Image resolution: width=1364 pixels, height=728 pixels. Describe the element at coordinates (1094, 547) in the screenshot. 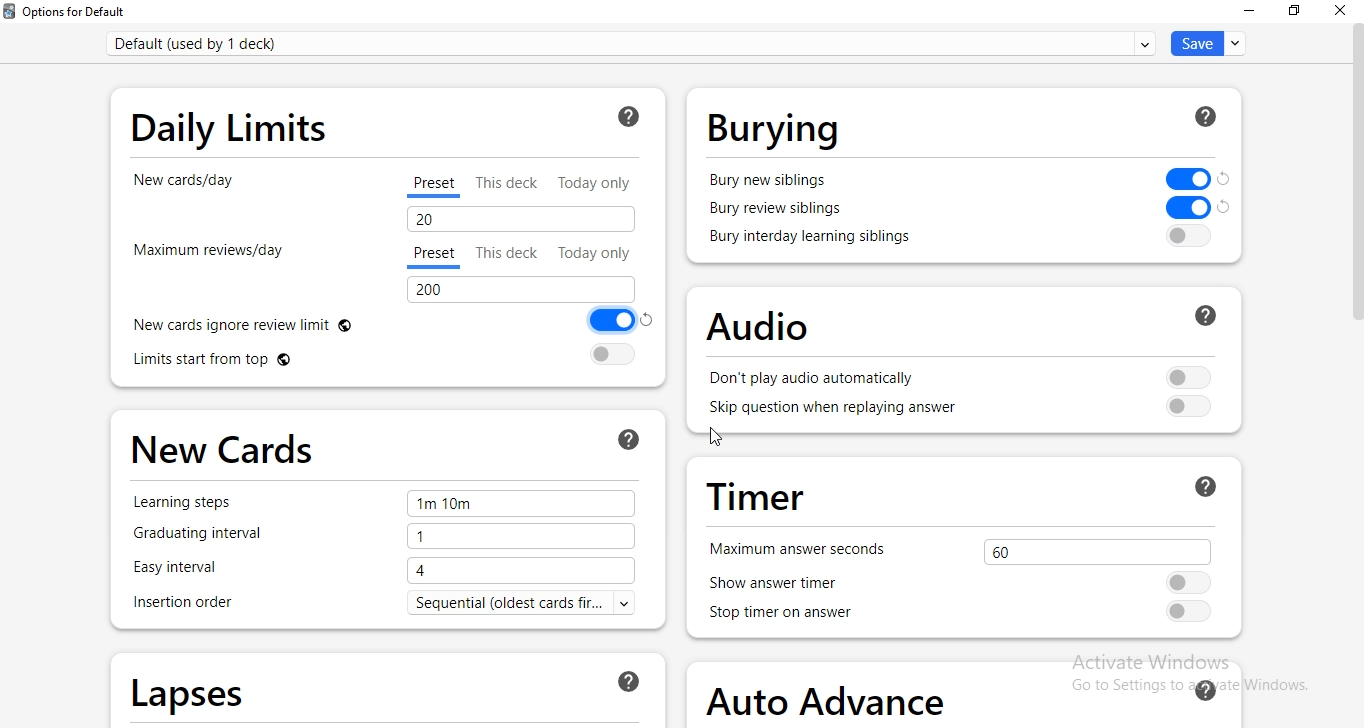

I see `60` at that location.